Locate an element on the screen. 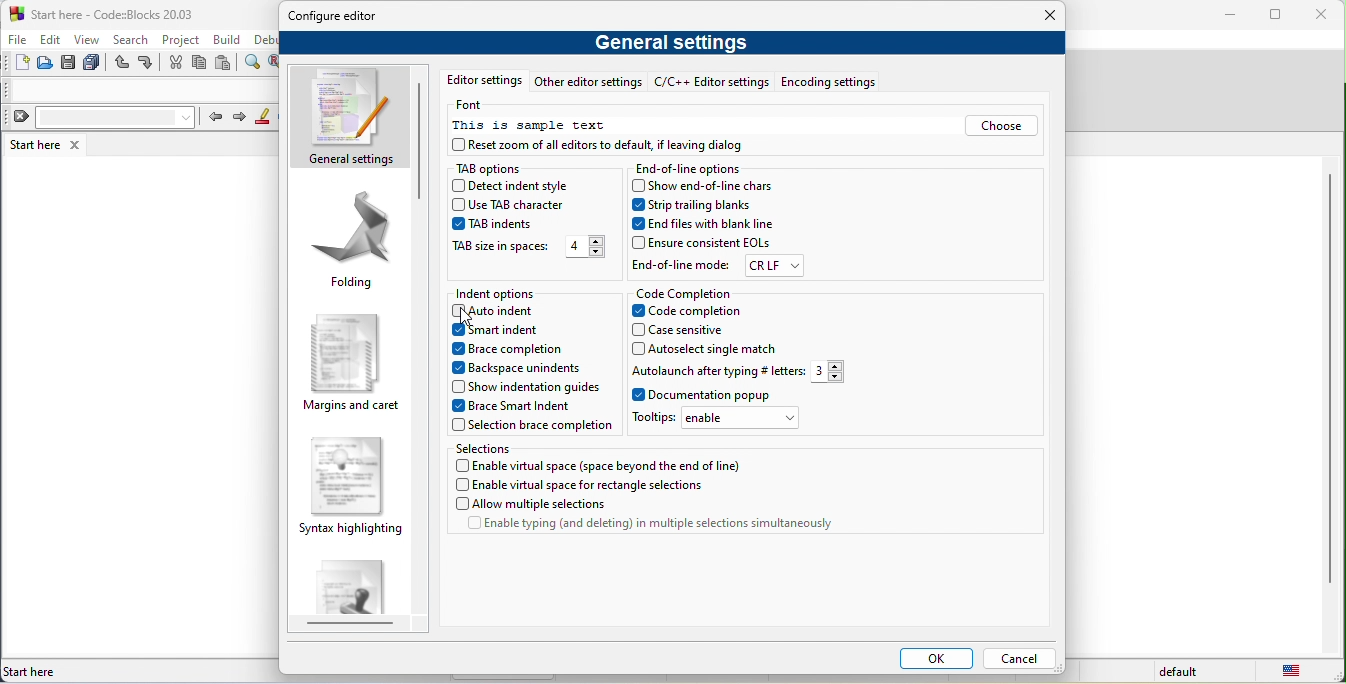 The width and height of the screenshot is (1346, 684). brace completion is located at coordinates (518, 348).